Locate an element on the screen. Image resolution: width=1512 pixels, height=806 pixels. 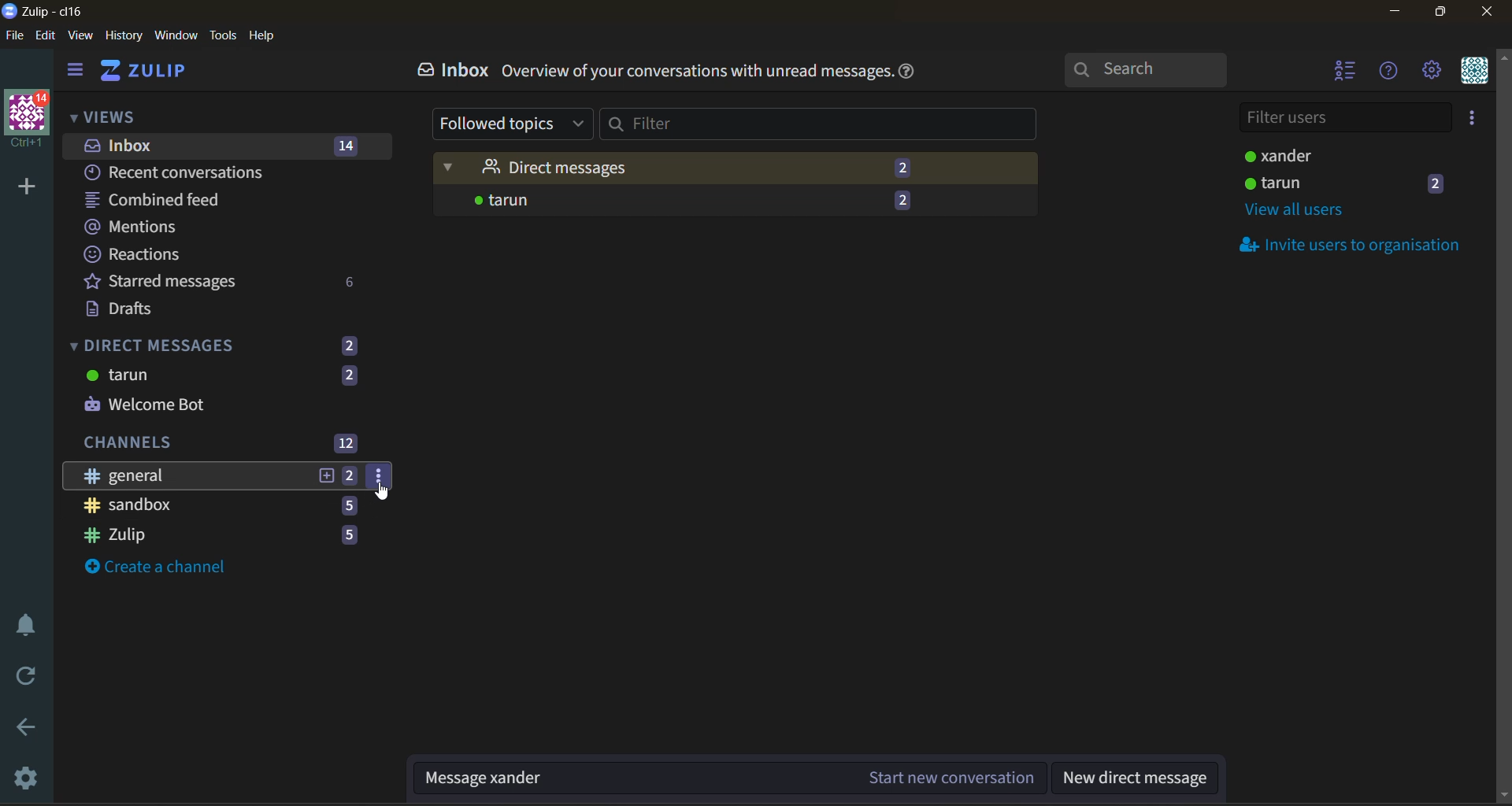
followed topics is located at coordinates (513, 124).